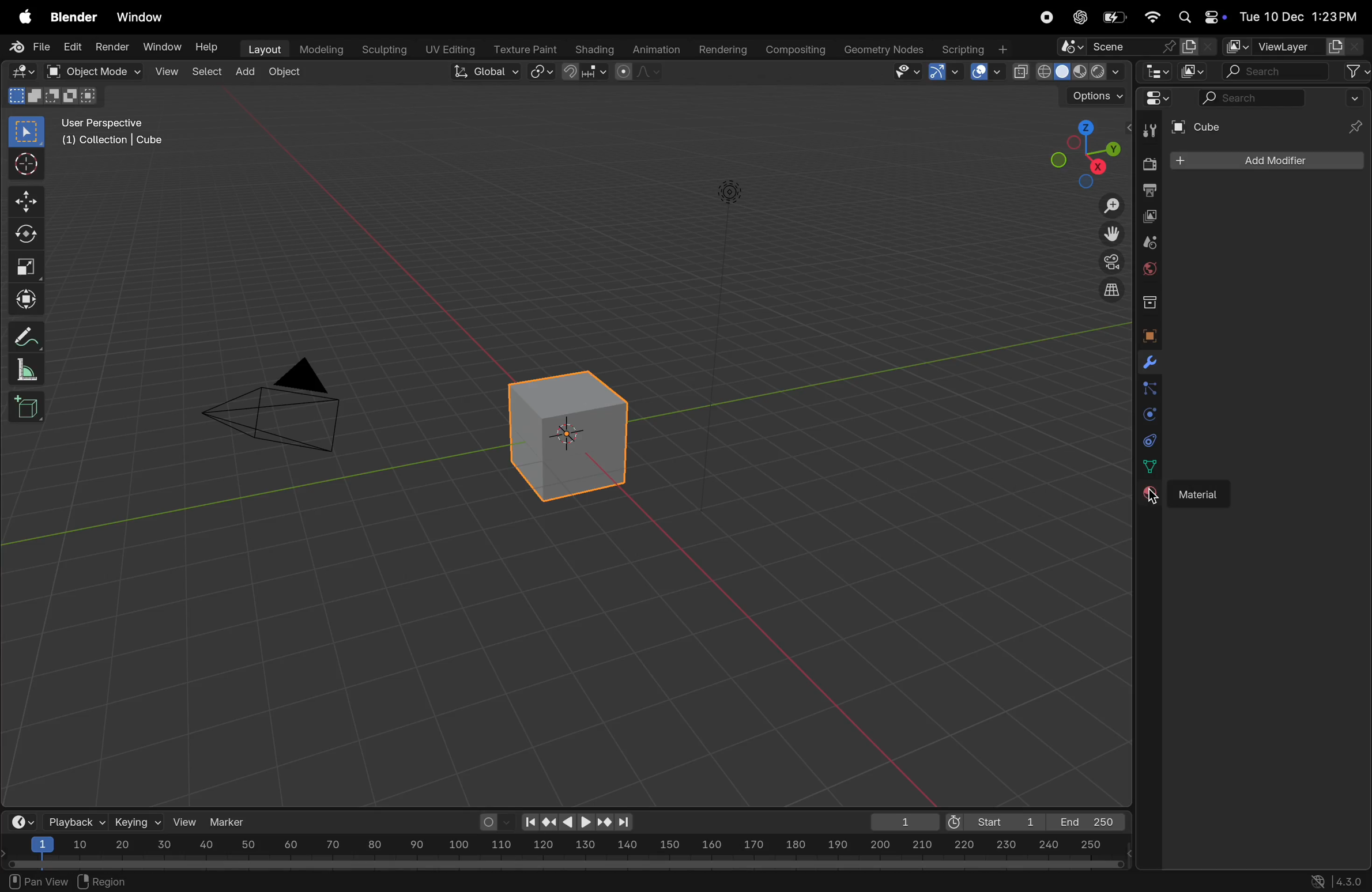 The height and width of the screenshot is (892, 1372). I want to click on scene, so click(1149, 243).